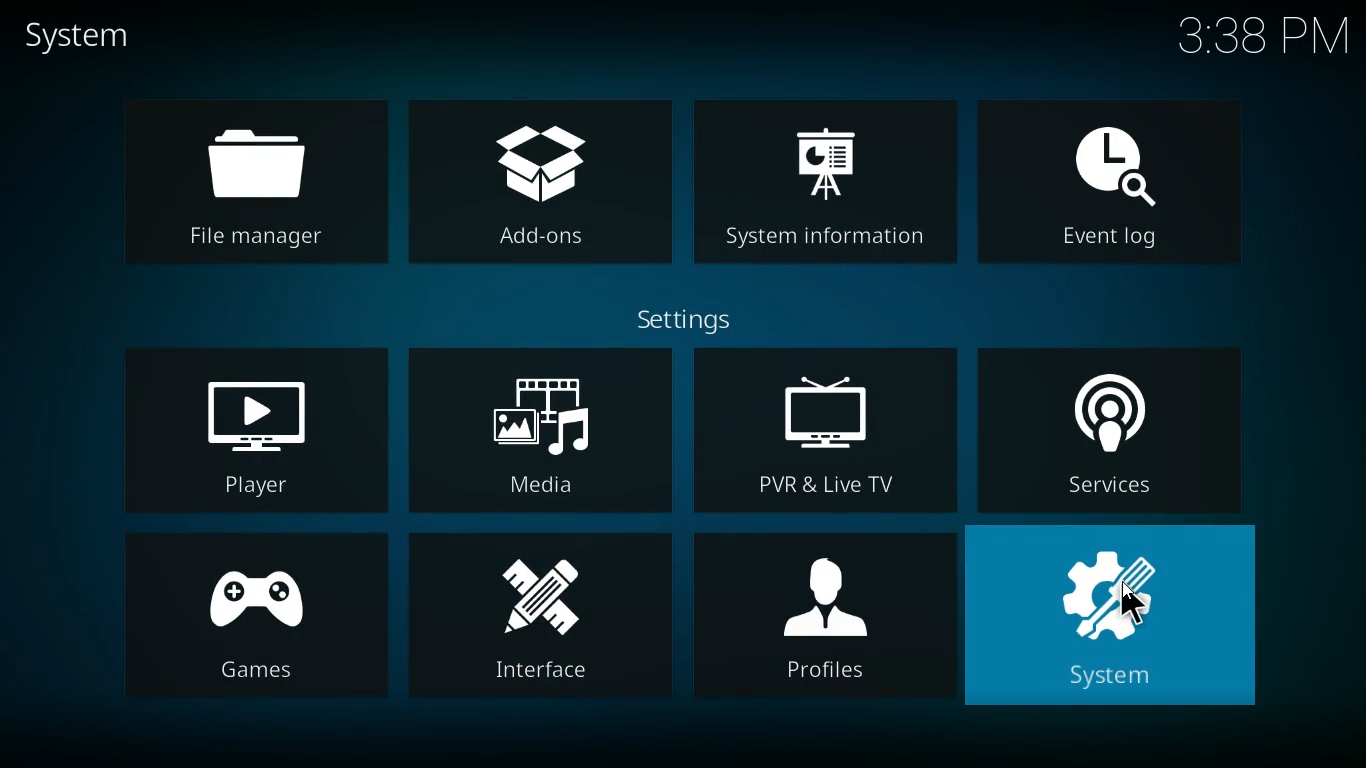  What do you see at coordinates (1121, 620) in the screenshot?
I see `system` at bounding box center [1121, 620].